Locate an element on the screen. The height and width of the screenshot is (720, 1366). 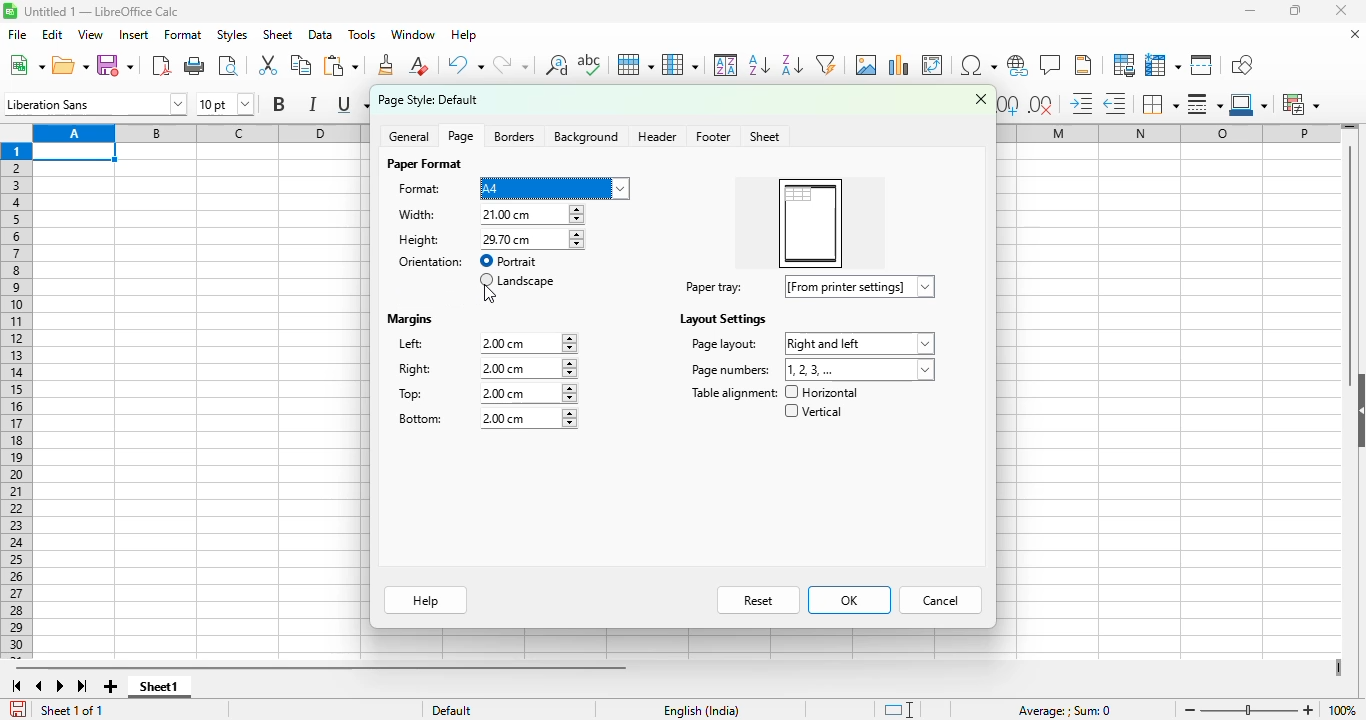
table alignment is located at coordinates (733, 393).